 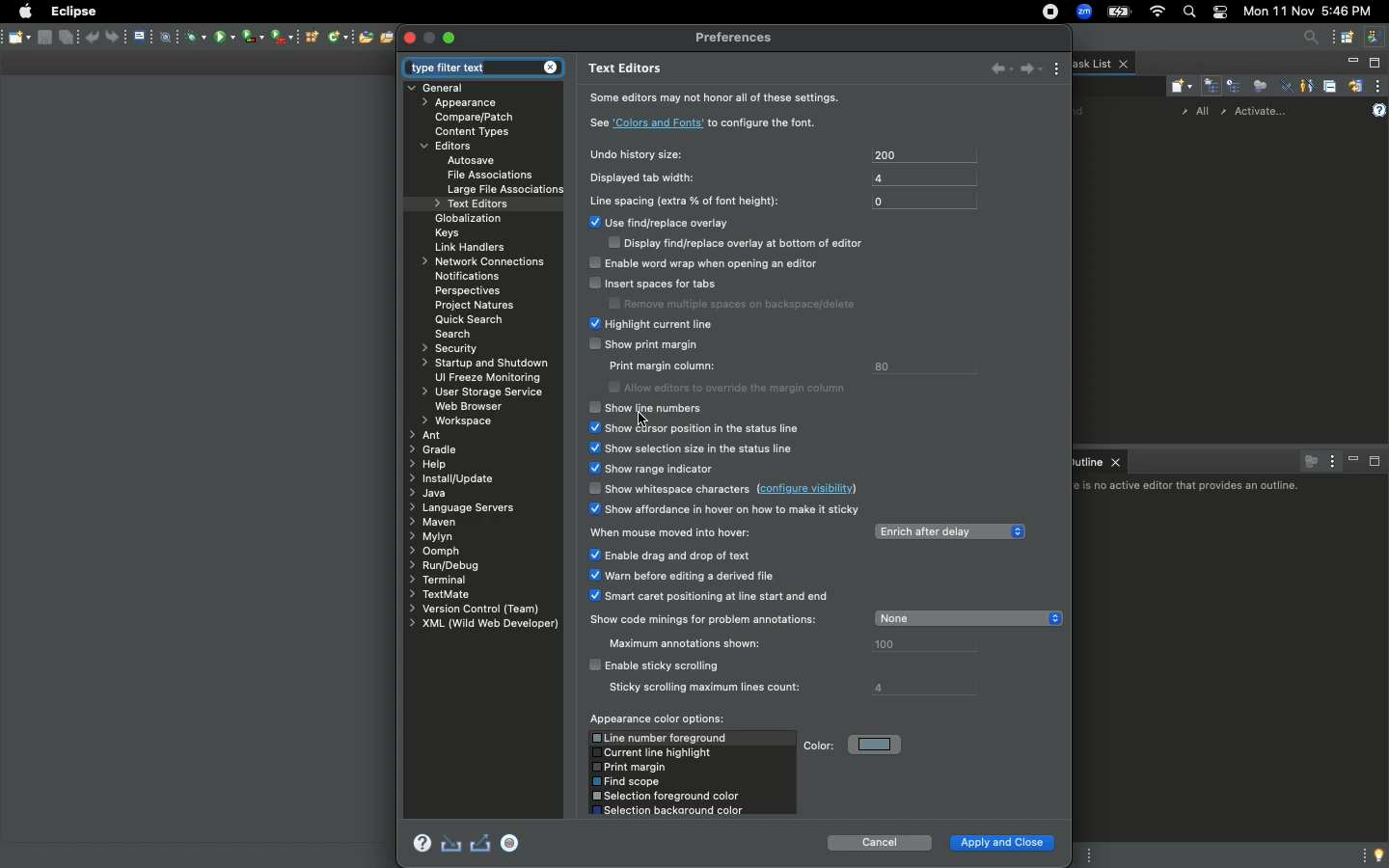 I want to click on Maximize, so click(x=1376, y=463).